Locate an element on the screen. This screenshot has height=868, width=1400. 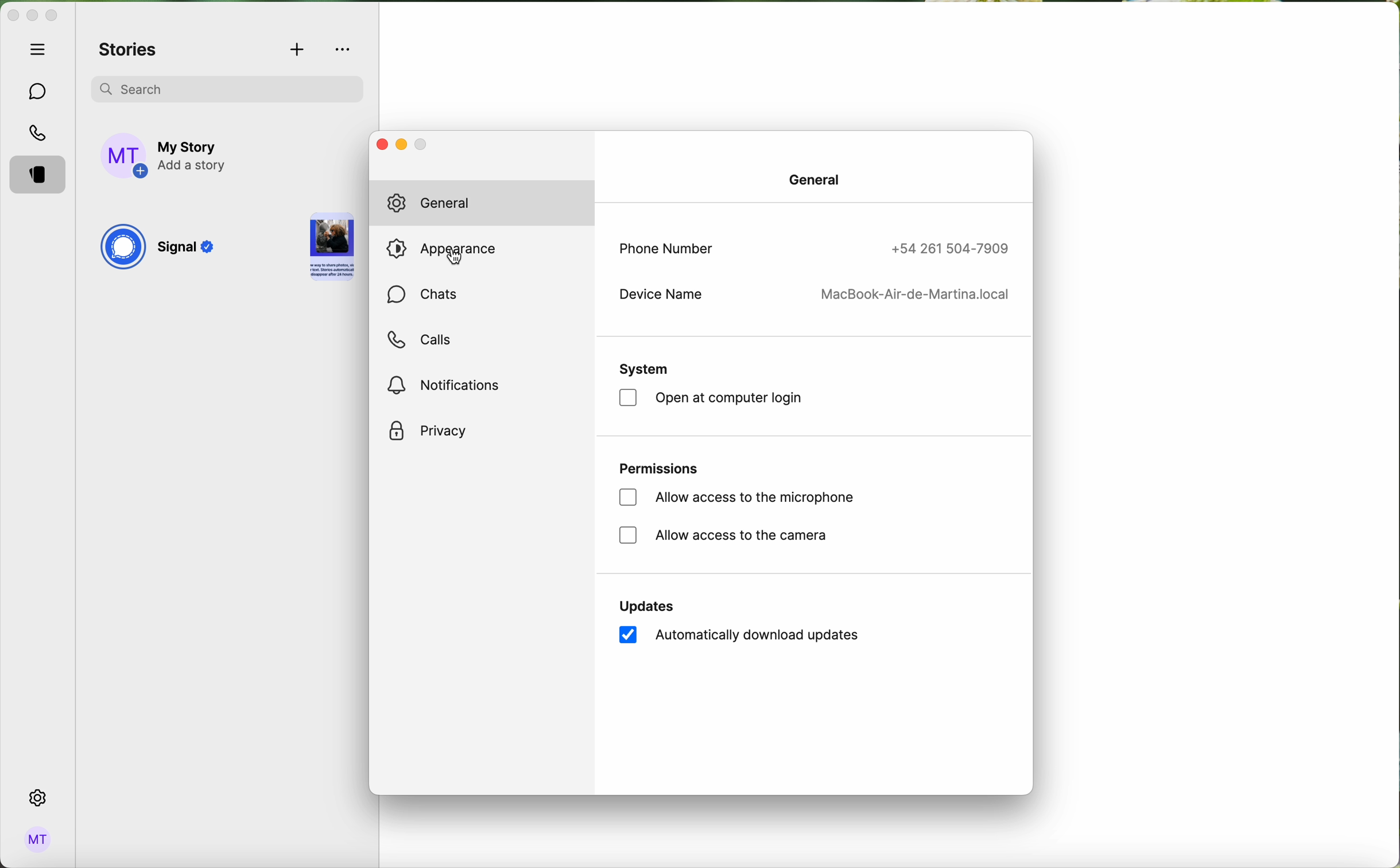
updates is located at coordinates (646, 607).